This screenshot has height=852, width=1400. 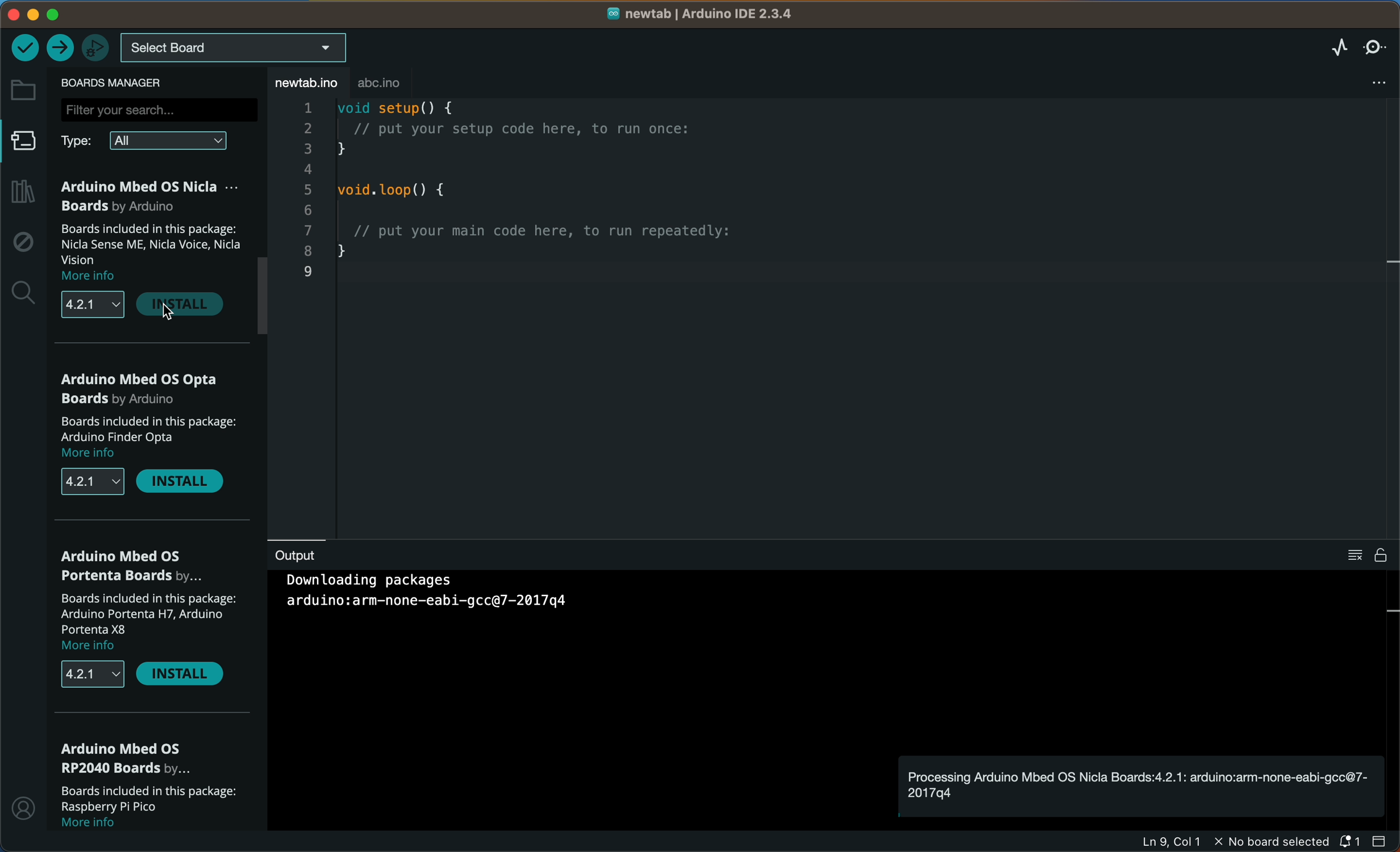 What do you see at coordinates (25, 193) in the screenshot?
I see `library manager` at bounding box center [25, 193].